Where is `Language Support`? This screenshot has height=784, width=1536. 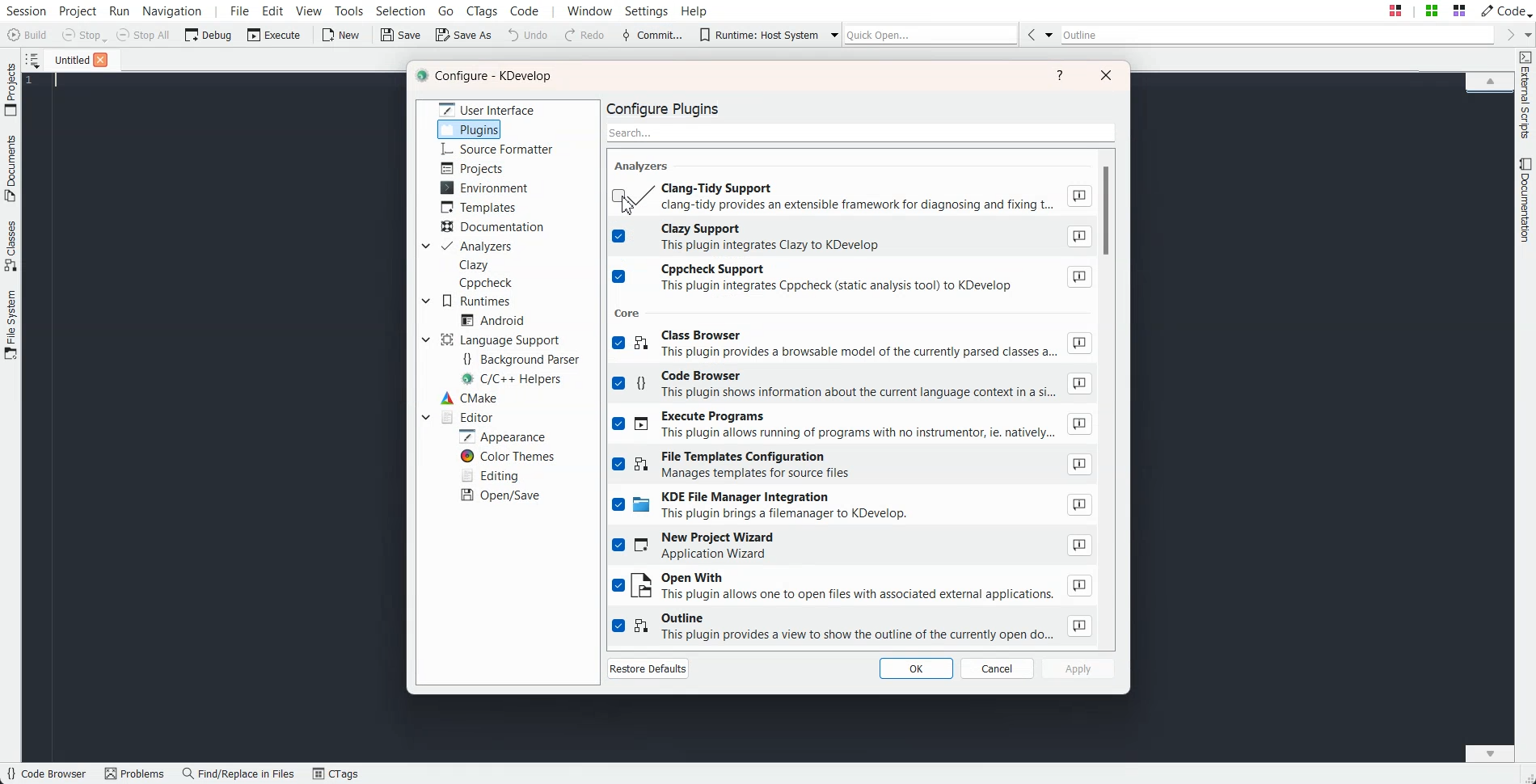 Language Support is located at coordinates (504, 339).